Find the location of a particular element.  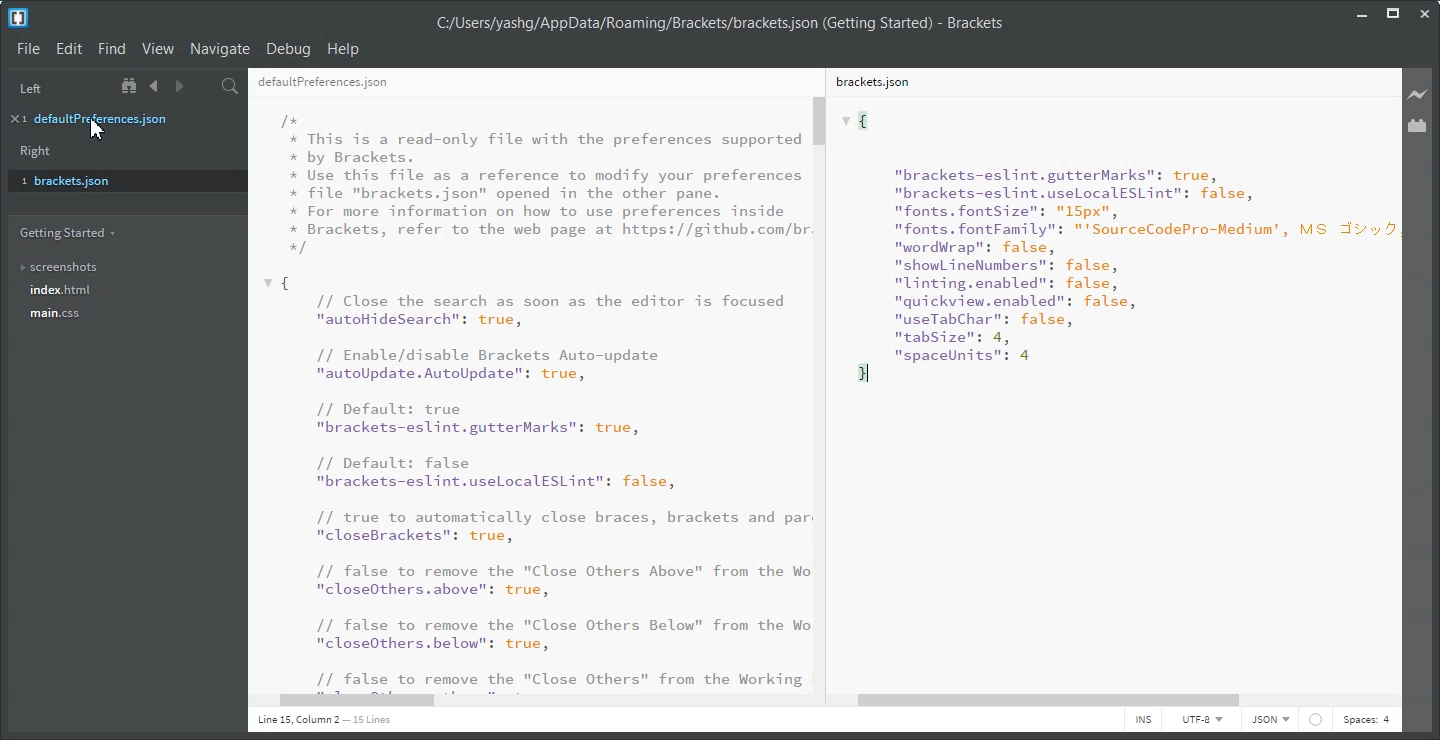

View is located at coordinates (157, 49).